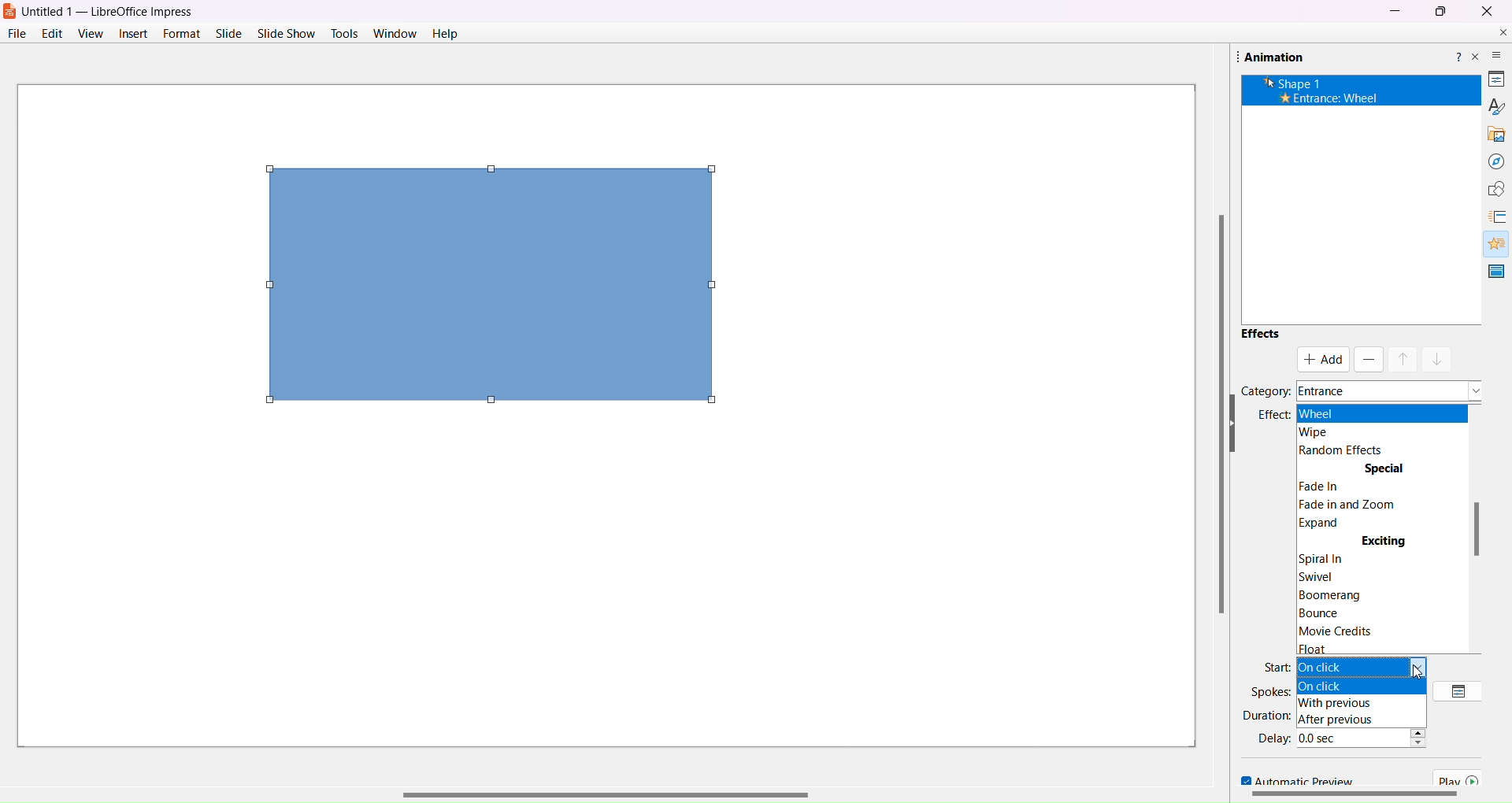 The width and height of the screenshot is (1512, 803). What do you see at coordinates (1266, 714) in the screenshot?
I see `Duration` at bounding box center [1266, 714].